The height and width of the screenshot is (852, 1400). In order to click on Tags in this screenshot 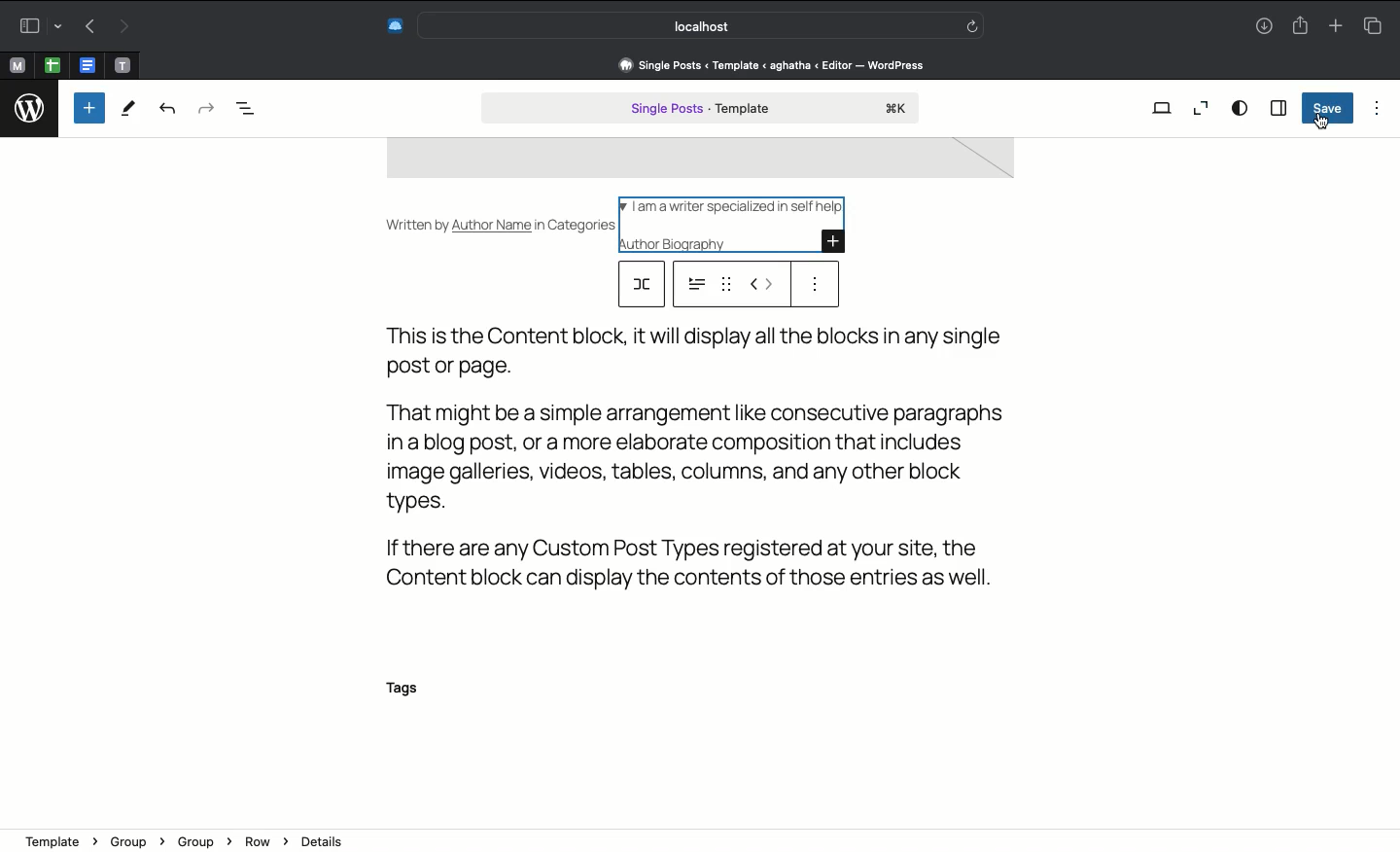, I will do `click(411, 694)`.